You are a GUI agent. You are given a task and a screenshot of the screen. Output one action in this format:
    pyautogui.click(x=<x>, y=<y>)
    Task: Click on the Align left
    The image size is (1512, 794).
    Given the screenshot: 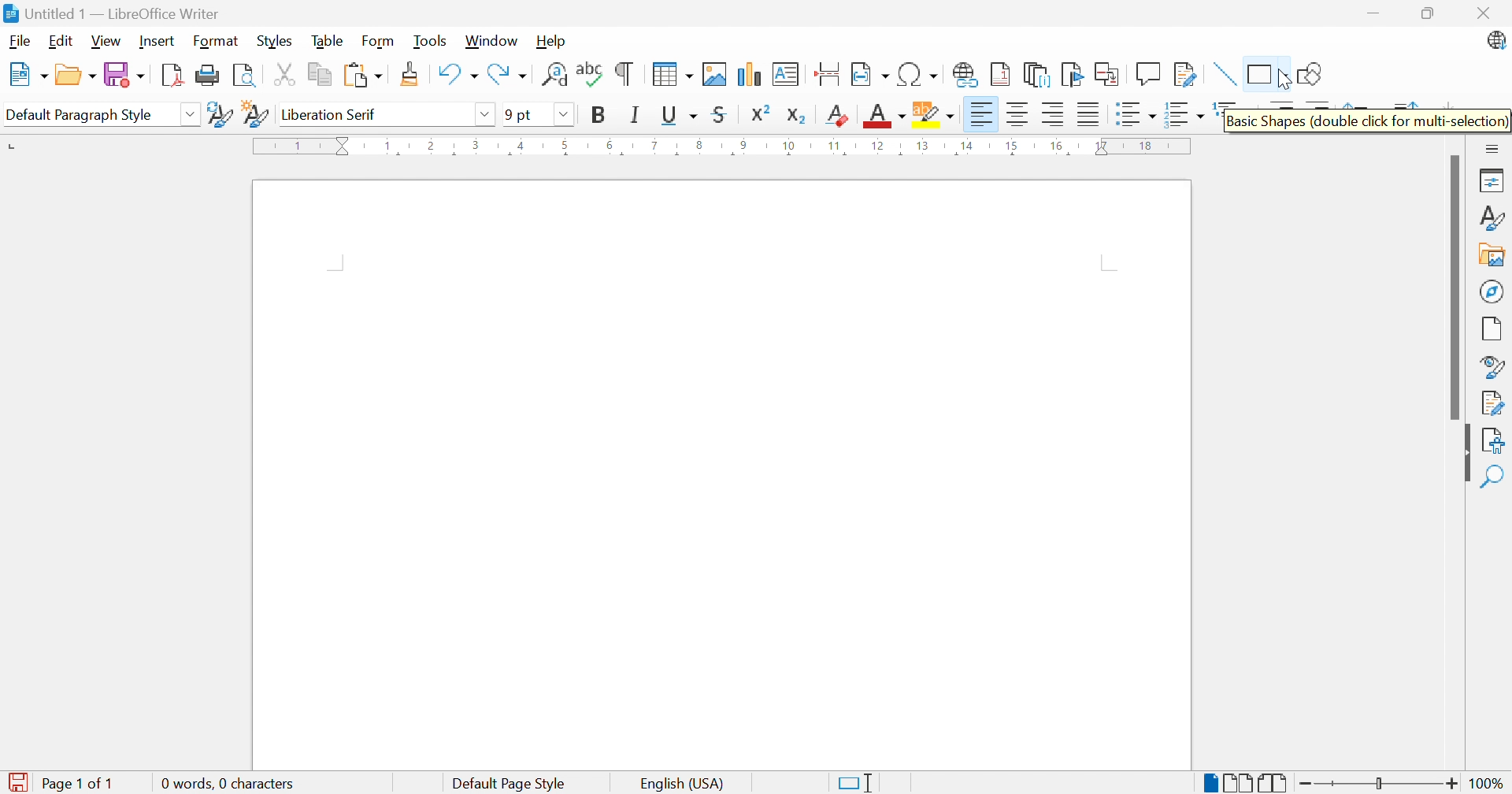 What is the action you would take?
    pyautogui.click(x=983, y=116)
    